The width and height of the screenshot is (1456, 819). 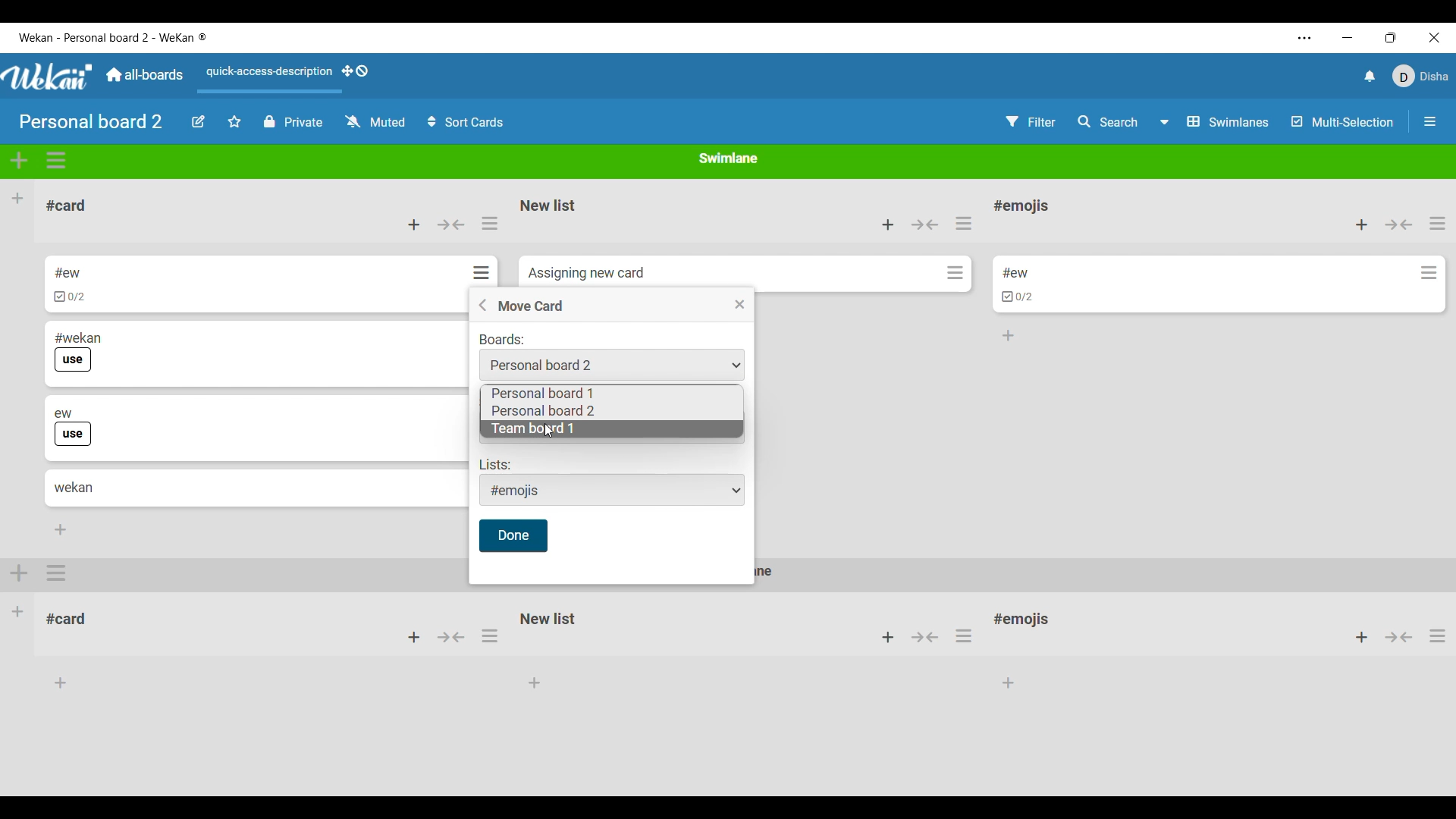 I want to click on Edit board, so click(x=199, y=121).